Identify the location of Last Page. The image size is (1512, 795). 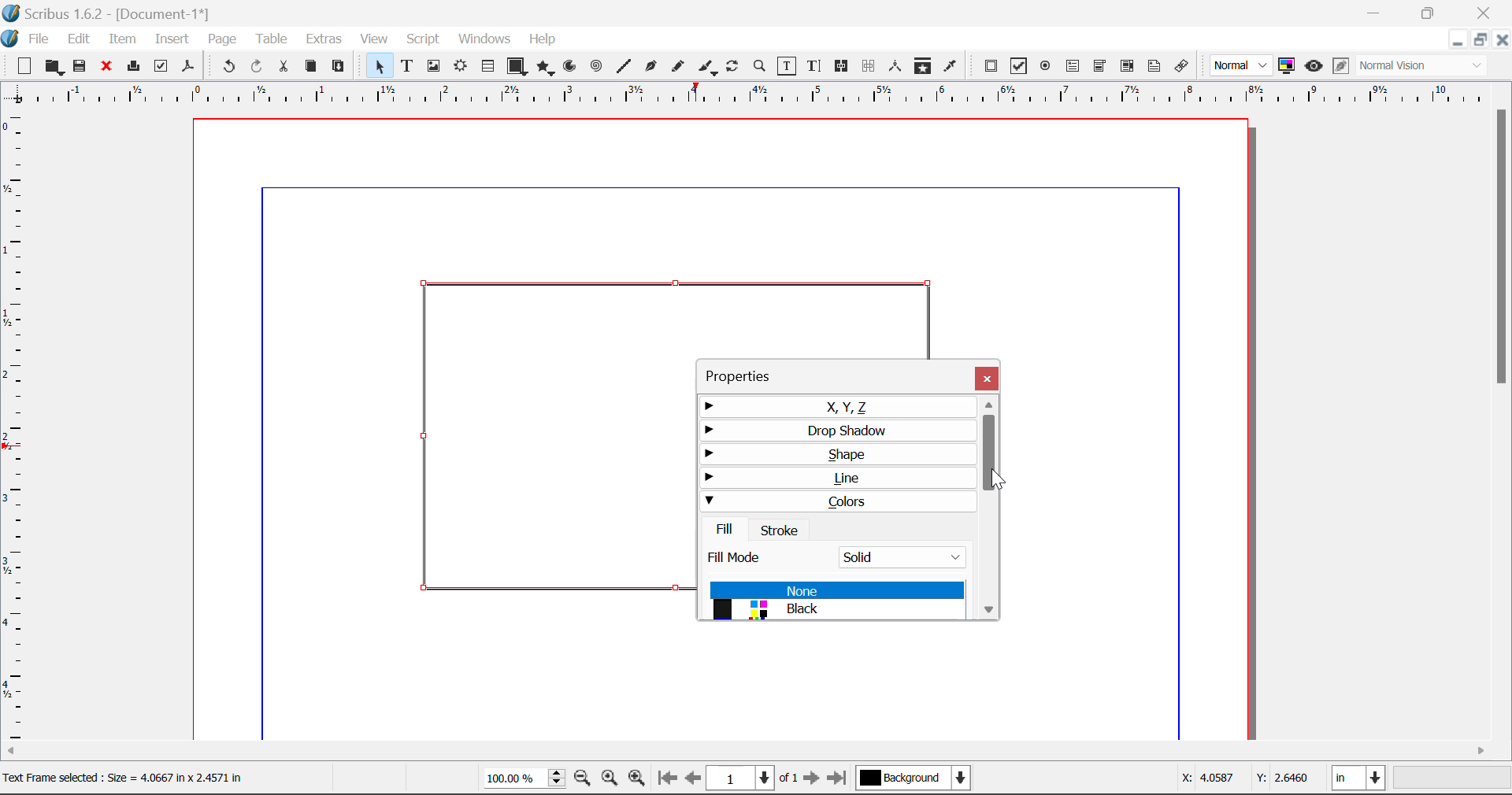
(839, 780).